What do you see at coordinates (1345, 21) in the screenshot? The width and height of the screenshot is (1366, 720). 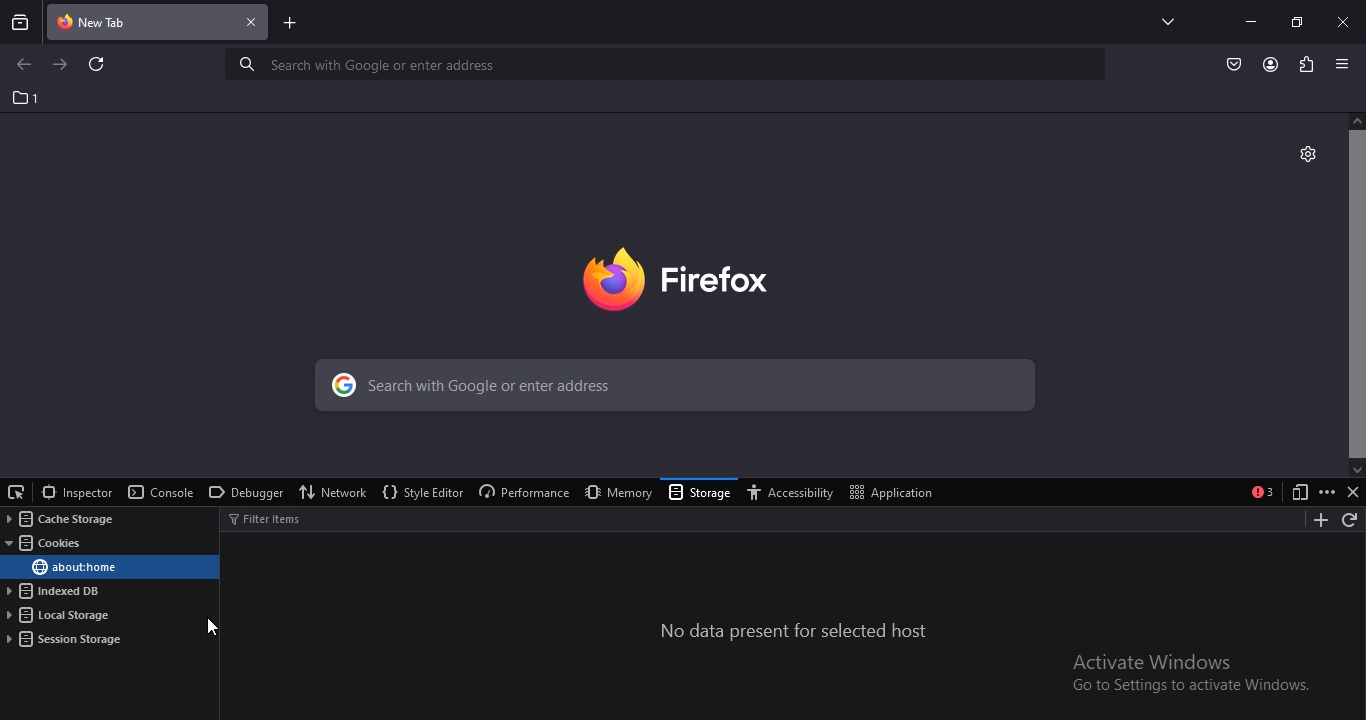 I see `close` at bounding box center [1345, 21].